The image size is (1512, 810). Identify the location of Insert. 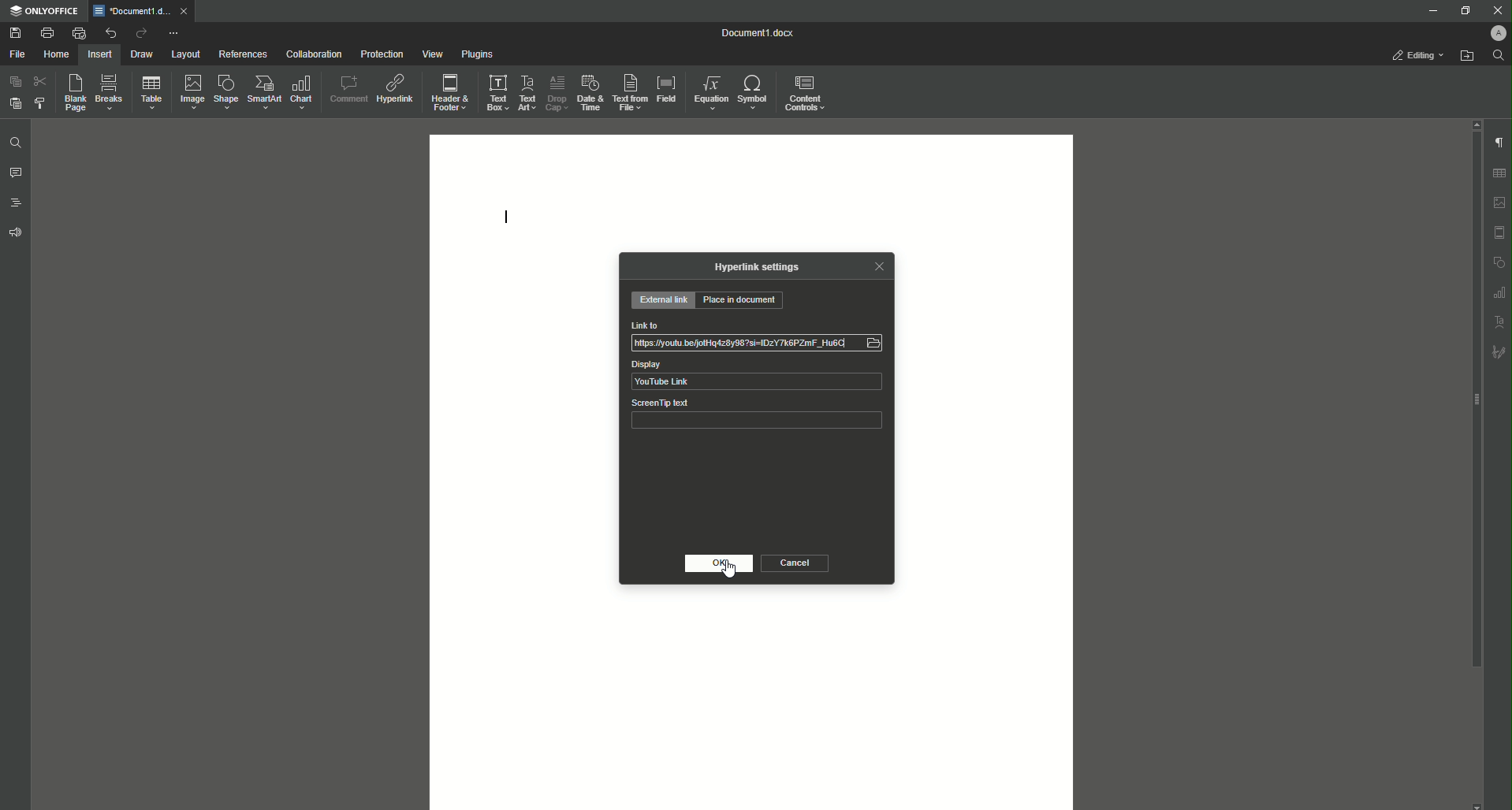
(101, 54).